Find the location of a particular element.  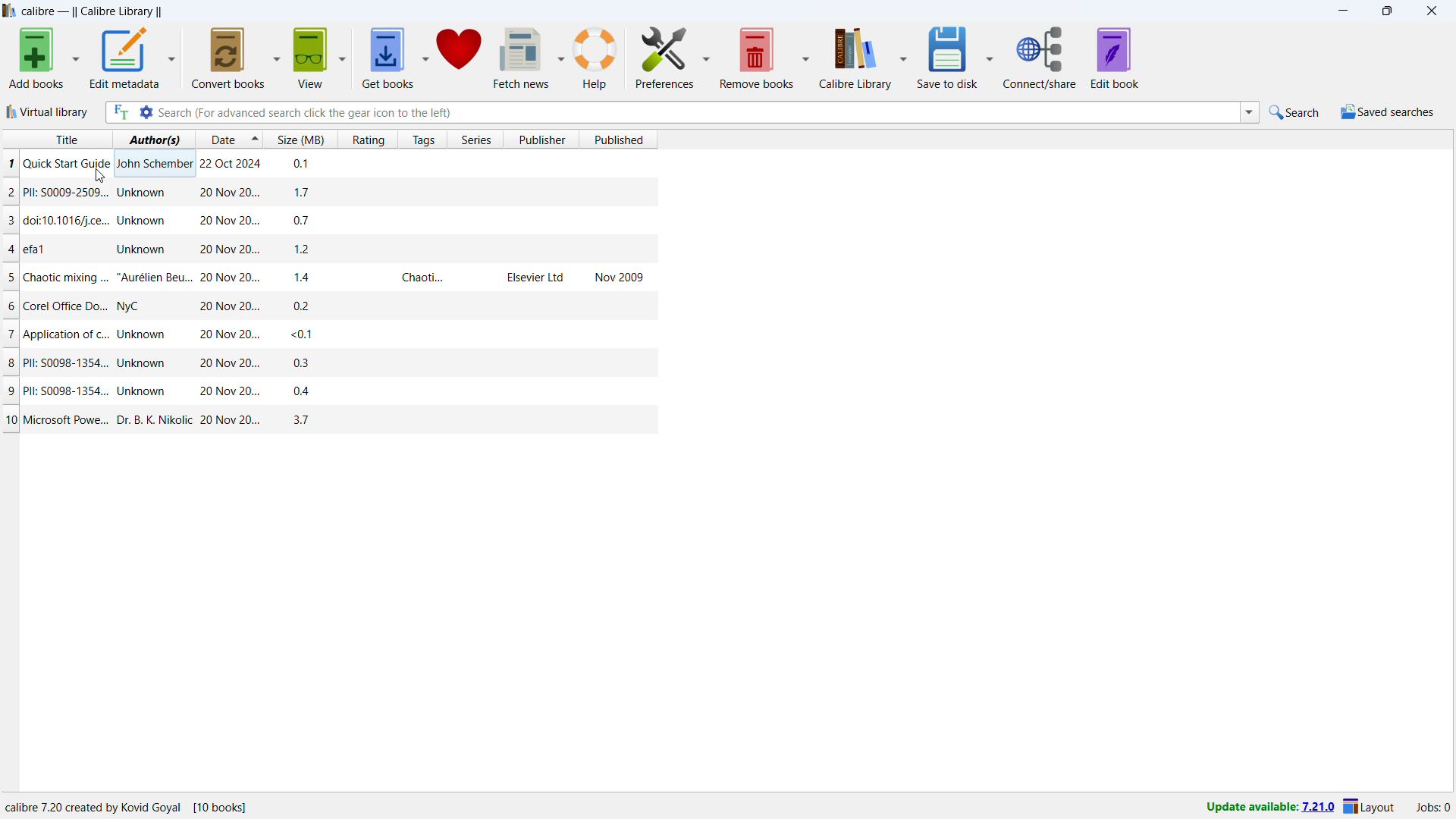

edit book is located at coordinates (1115, 57).